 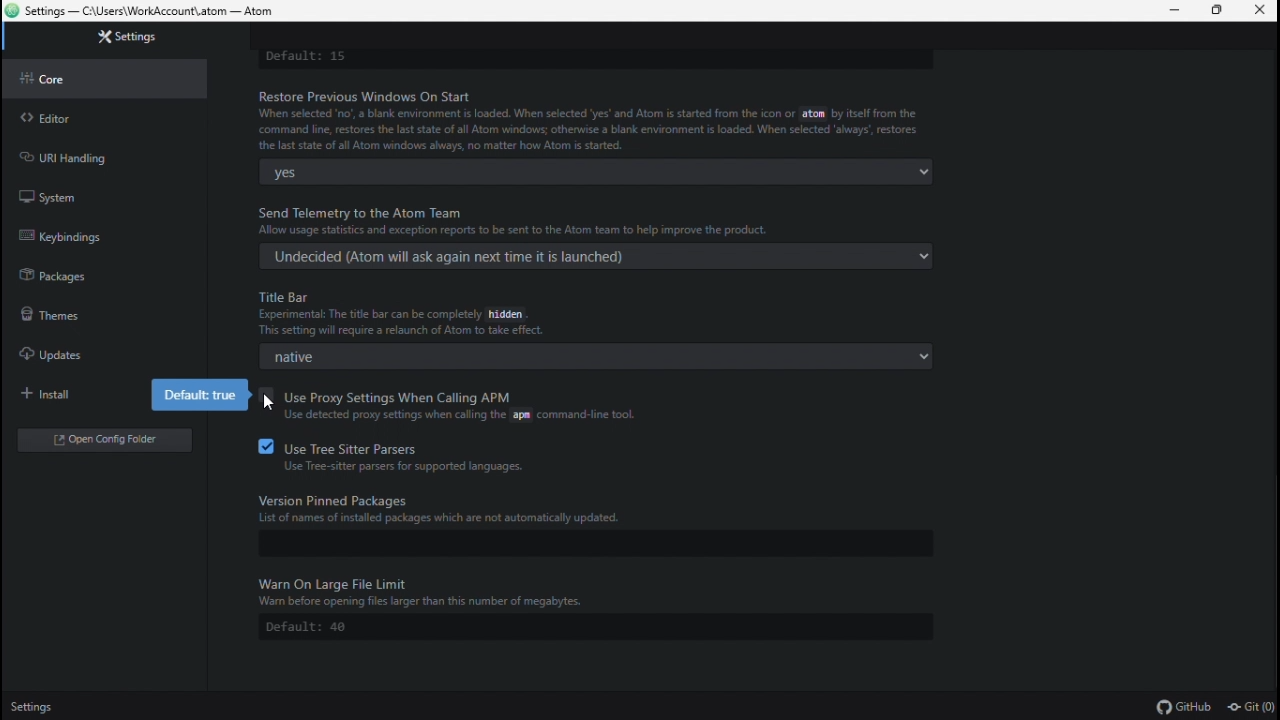 What do you see at coordinates (141, 12) in the screenshot?
I see `File name and file path` at bounding box center [141, 12].